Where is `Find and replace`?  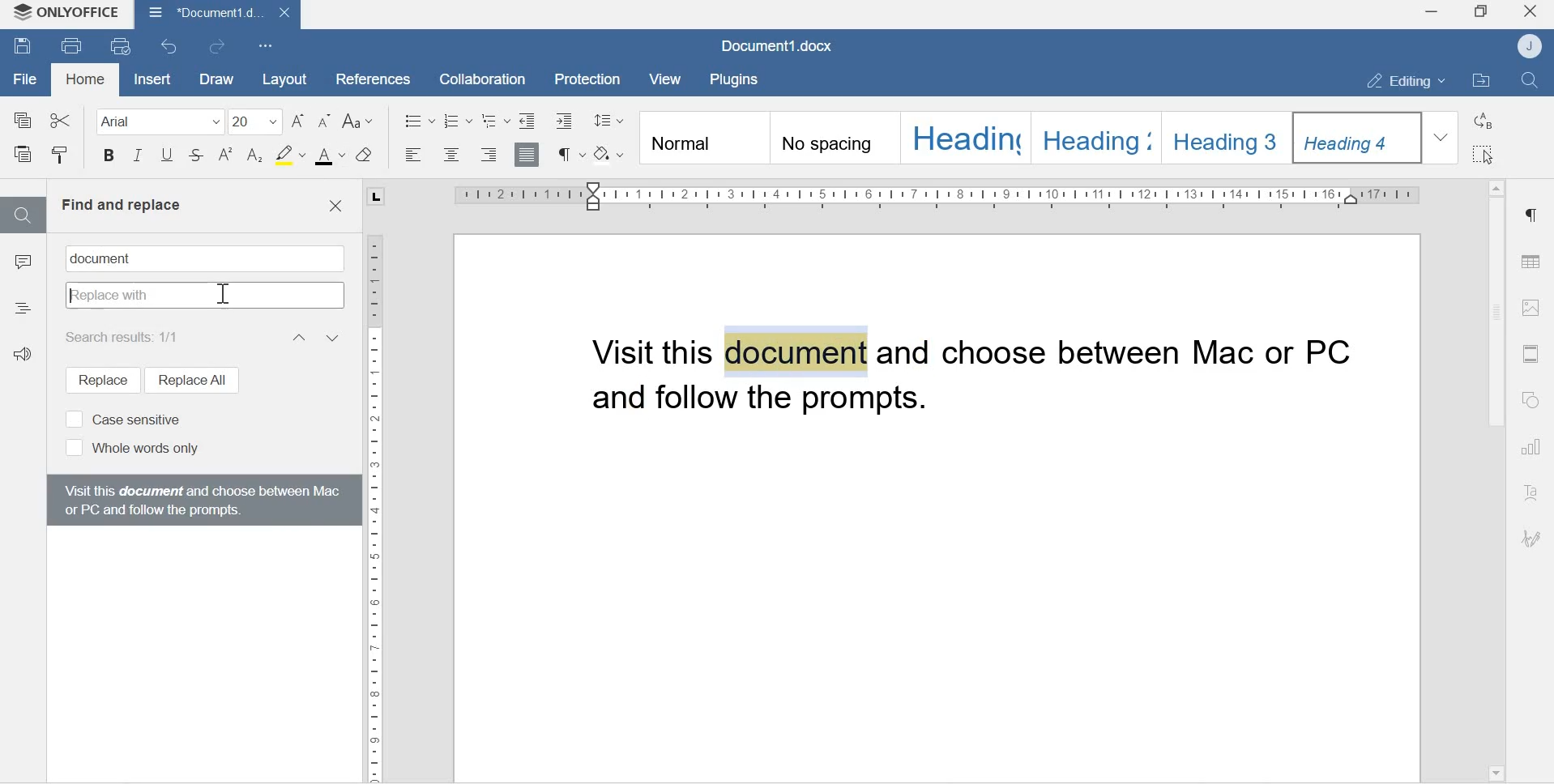 Find and replace is located at coordinates (121, 205).